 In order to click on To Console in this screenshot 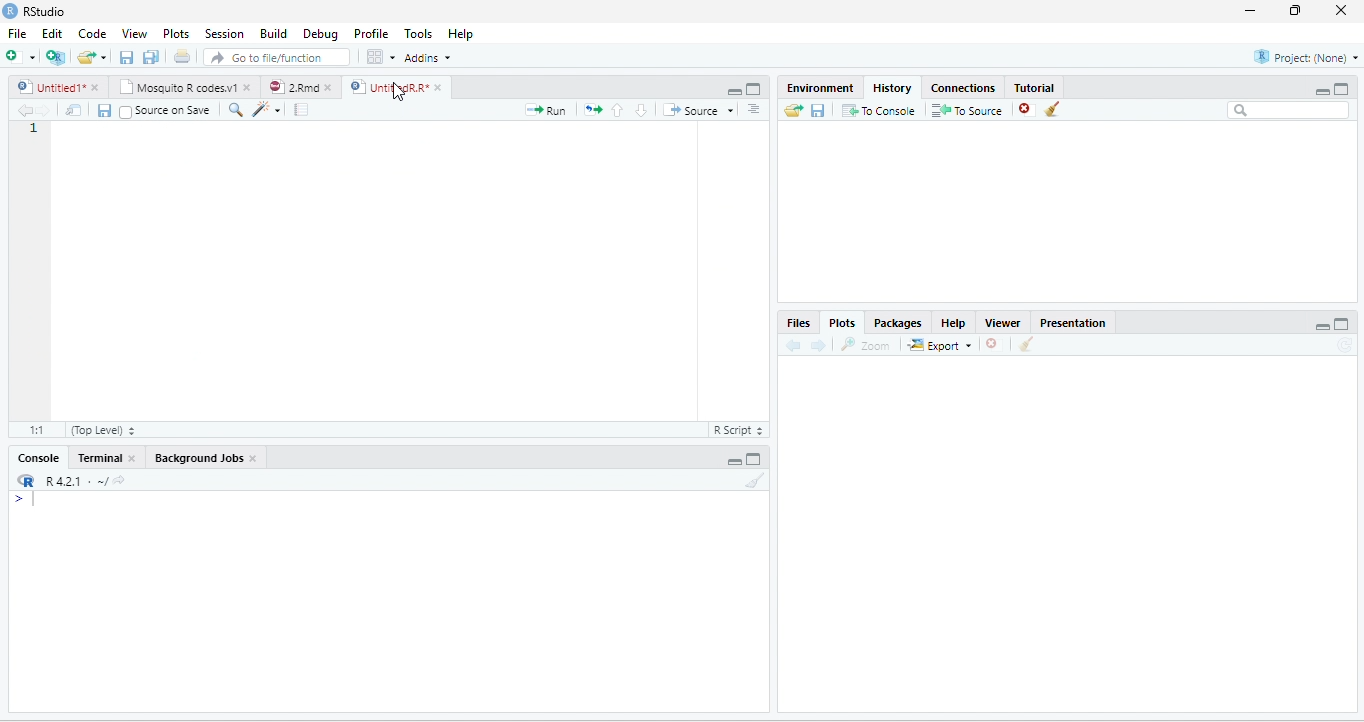, I will do `click(879, 111)`.